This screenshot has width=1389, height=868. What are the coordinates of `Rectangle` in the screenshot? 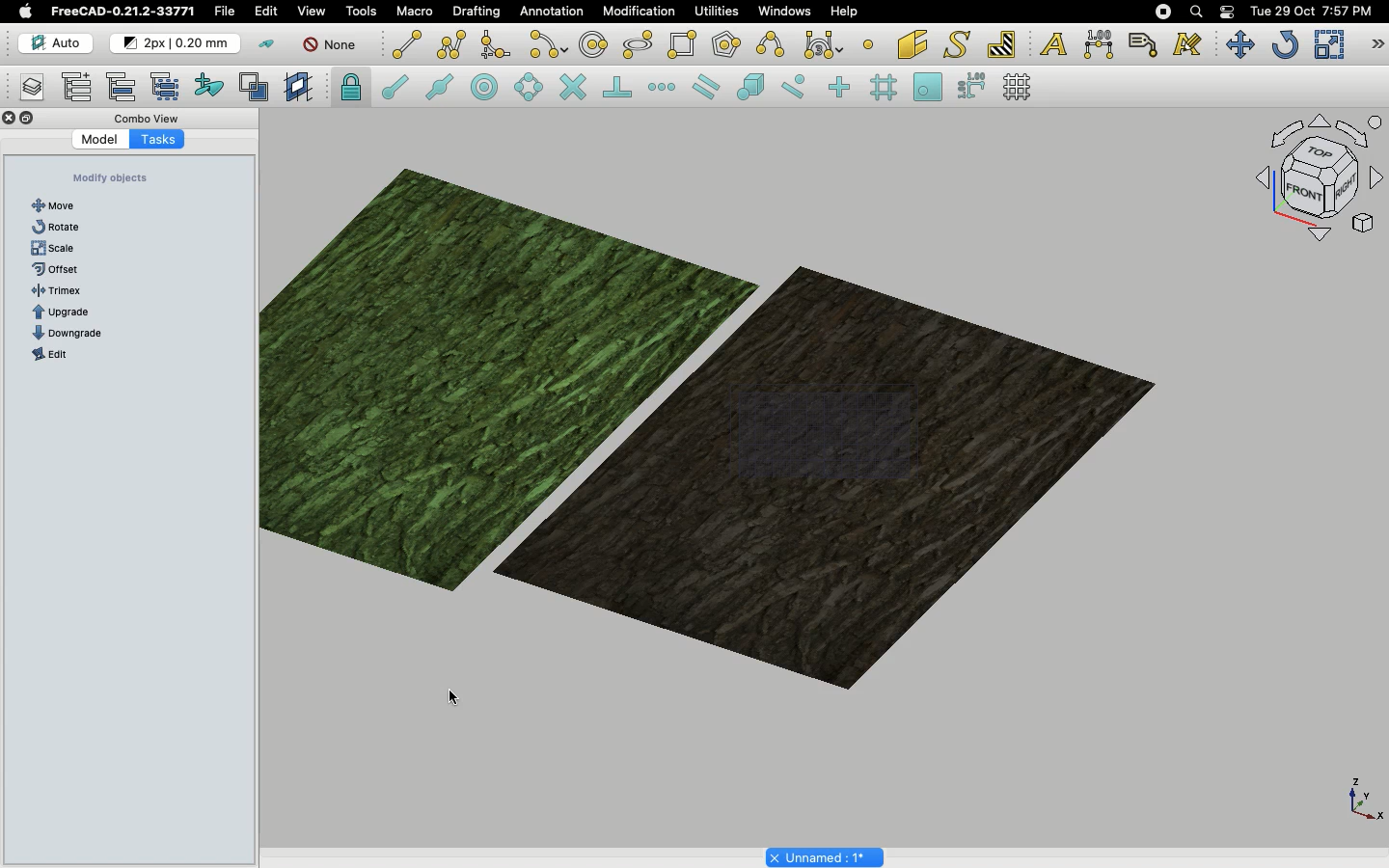 It's located at (686, 45).